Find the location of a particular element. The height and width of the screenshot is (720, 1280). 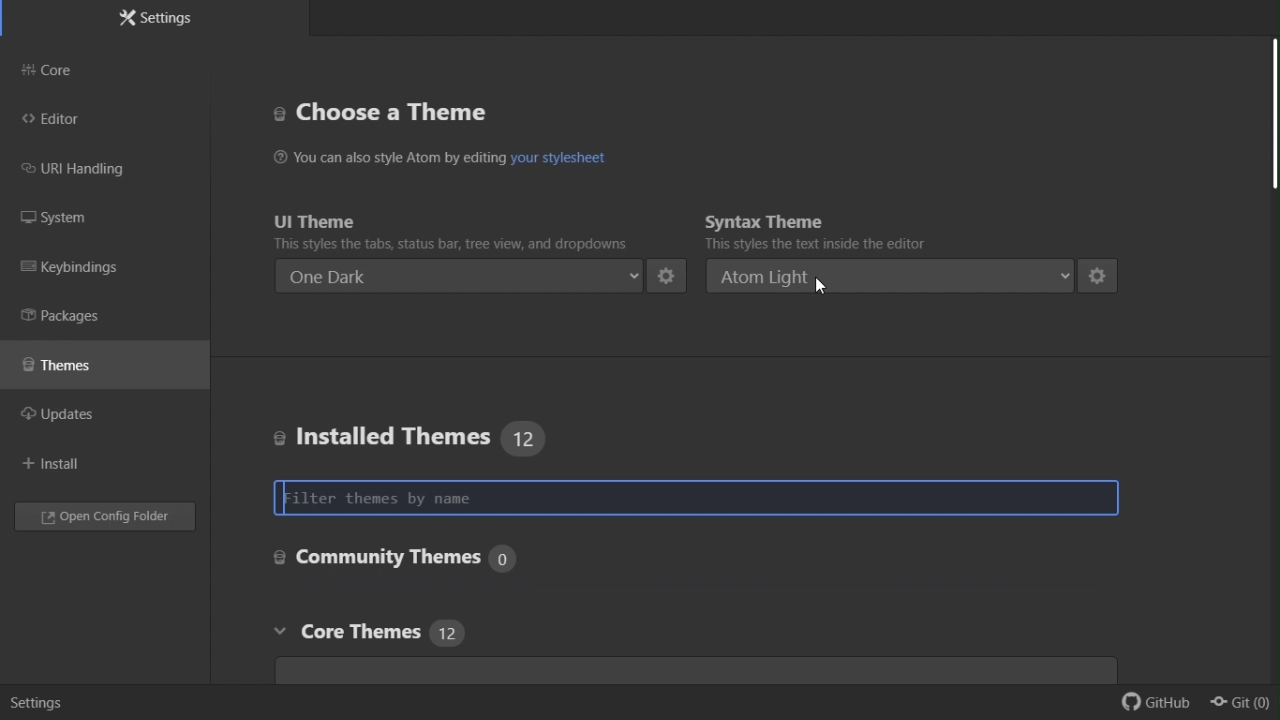

System is located at coordinates (75, 222).